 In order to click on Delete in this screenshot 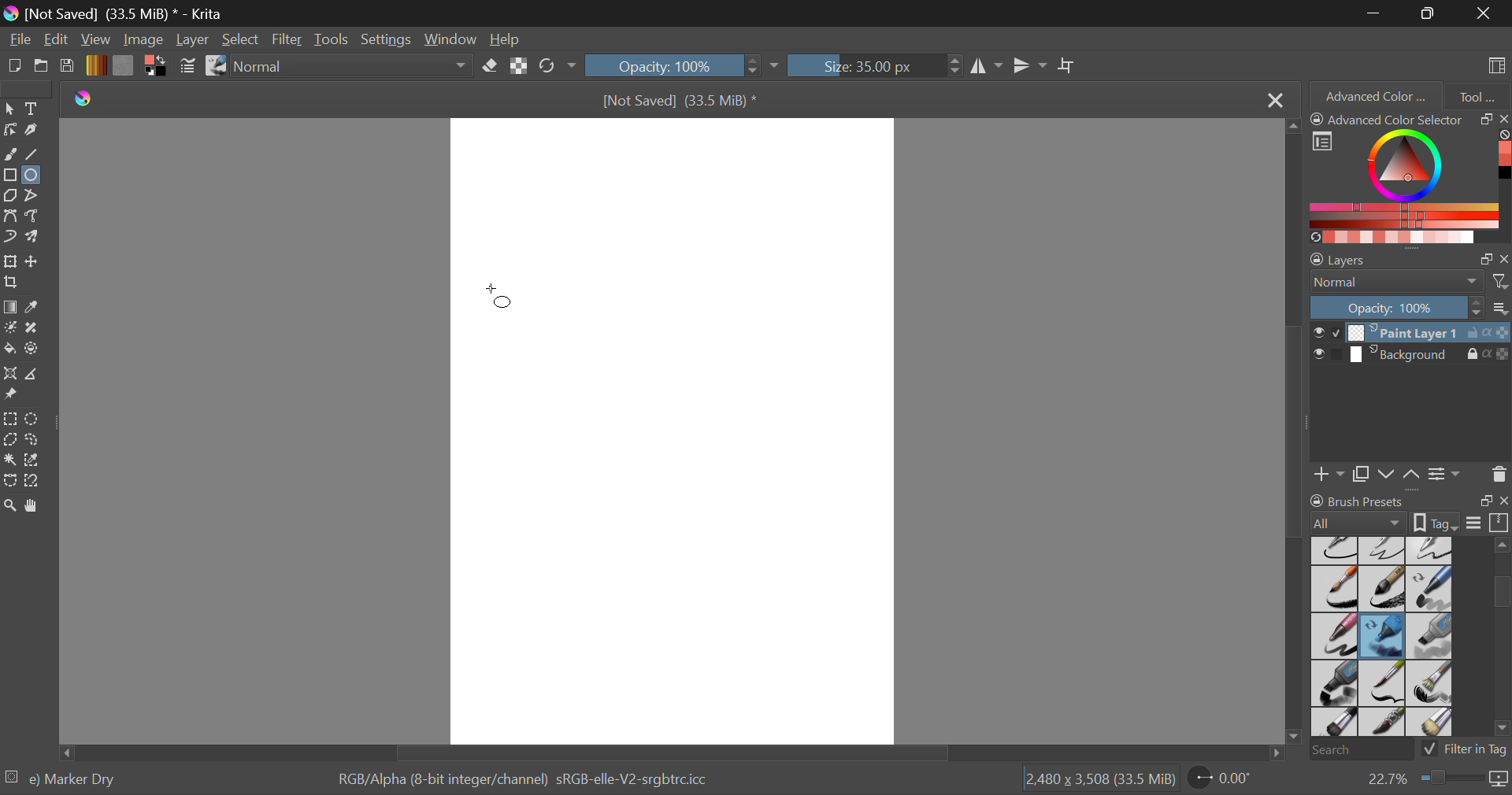, I will do `click(1499, 474)`.